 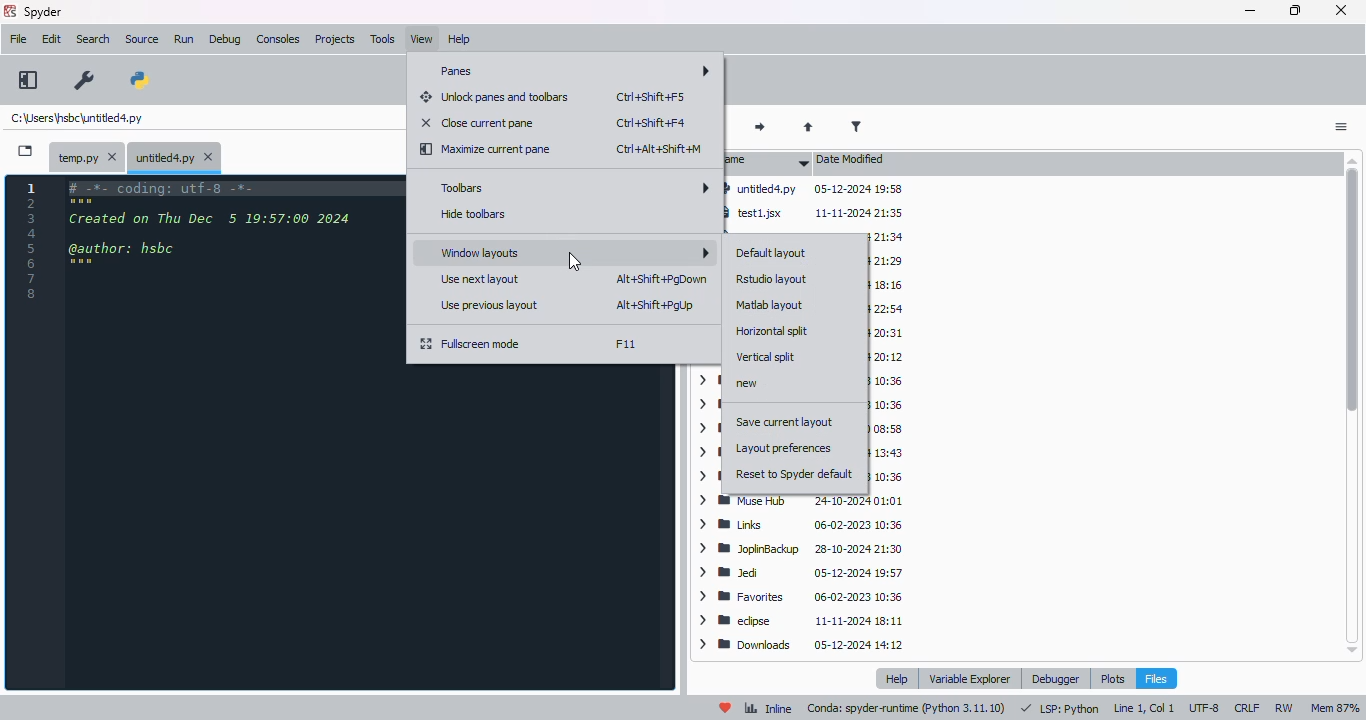 What do you see at coordinates (1144, 708) in the screenshot?
I see `line 1, col 1` at bounding box center [1144, 708].